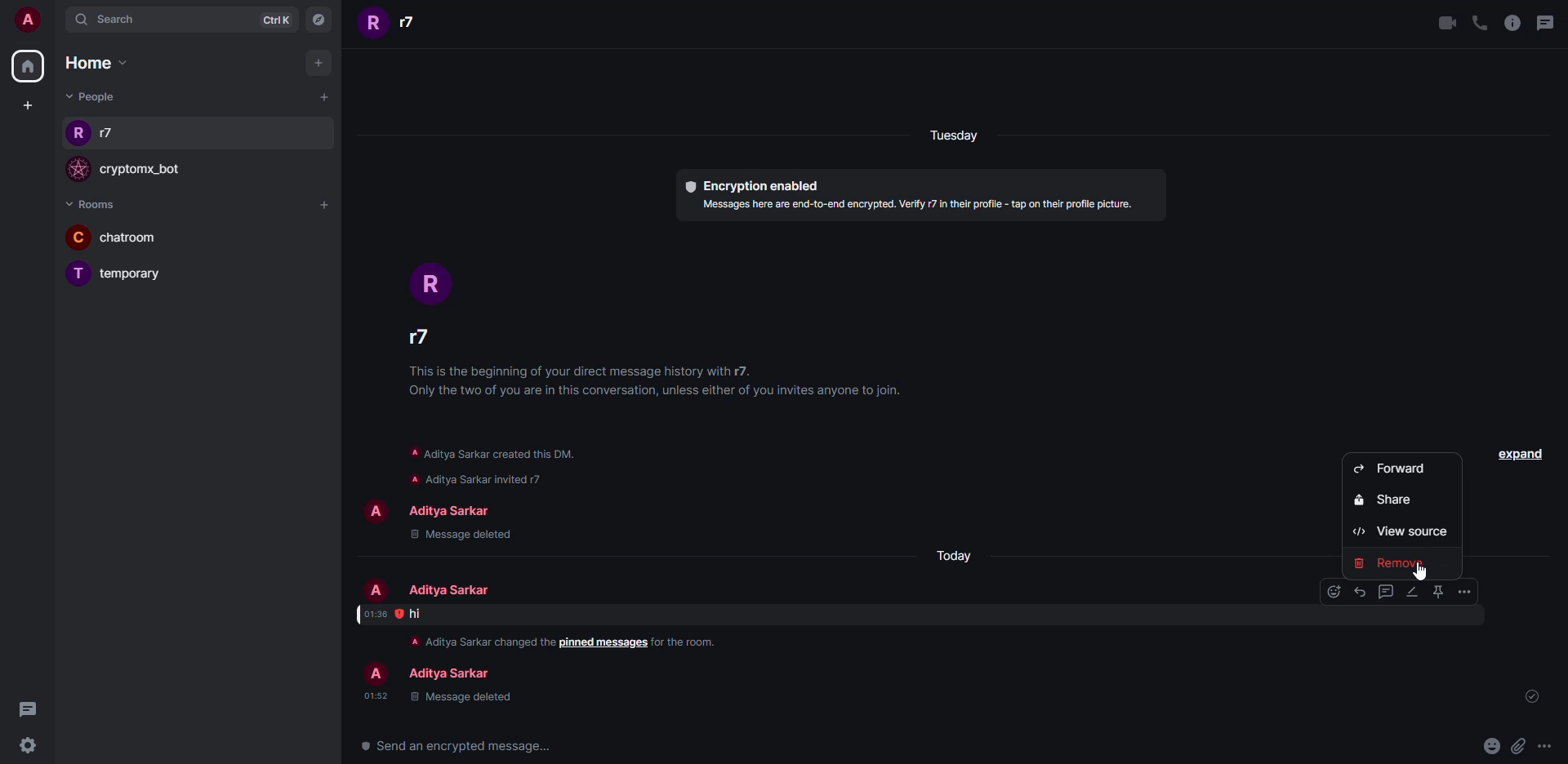 Image resolution: width=1568 pixels, height=764 pixels. I want to click on remove, so click(1392, 562).